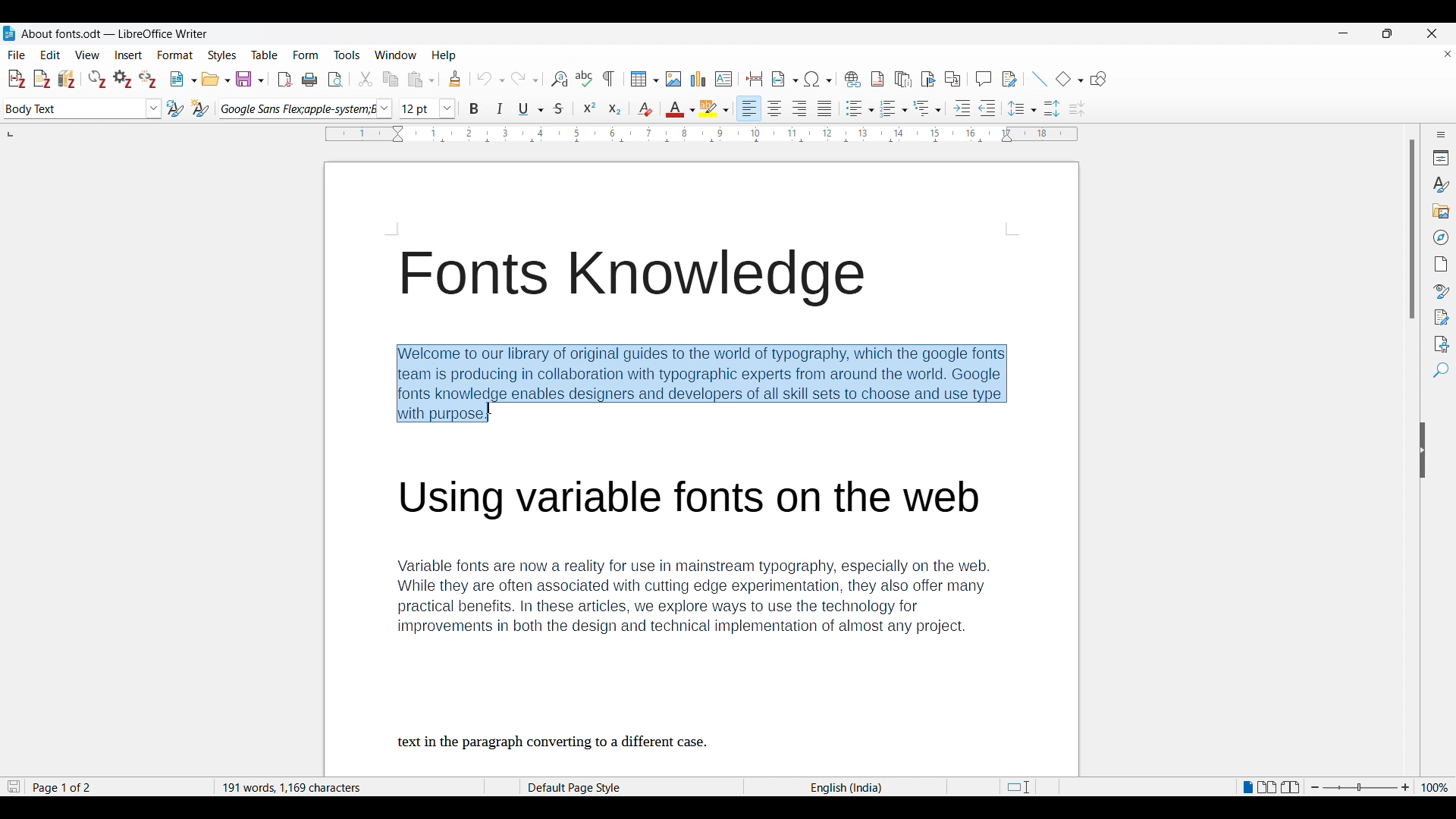 This screenshot has height=819, width=1456. What do you see at coordinates (723, 79) in the screenshot?
I see `Insert text box` at bounding box center [723, 79].